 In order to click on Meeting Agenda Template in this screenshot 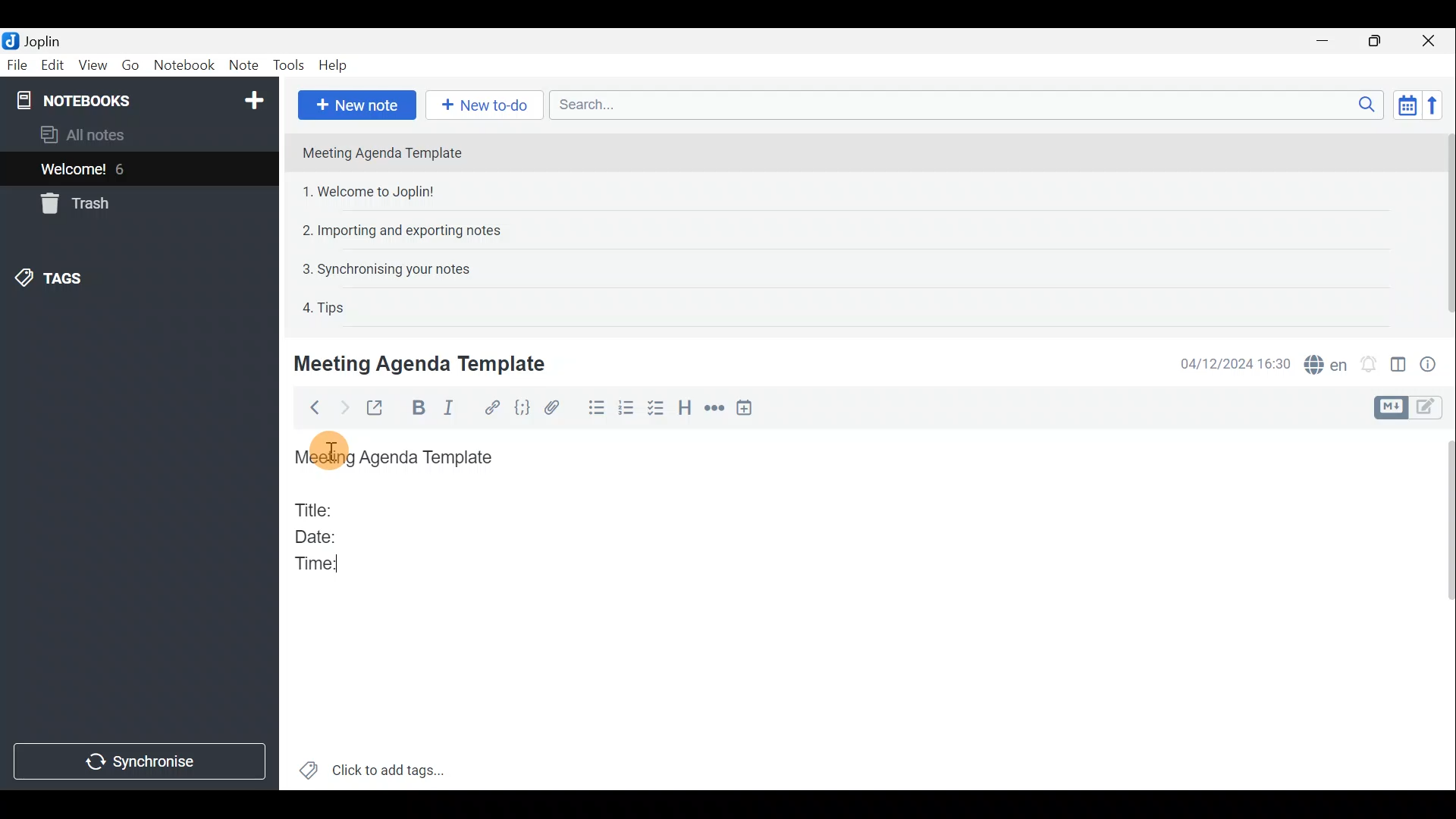, I will do `click(396, 456)`.